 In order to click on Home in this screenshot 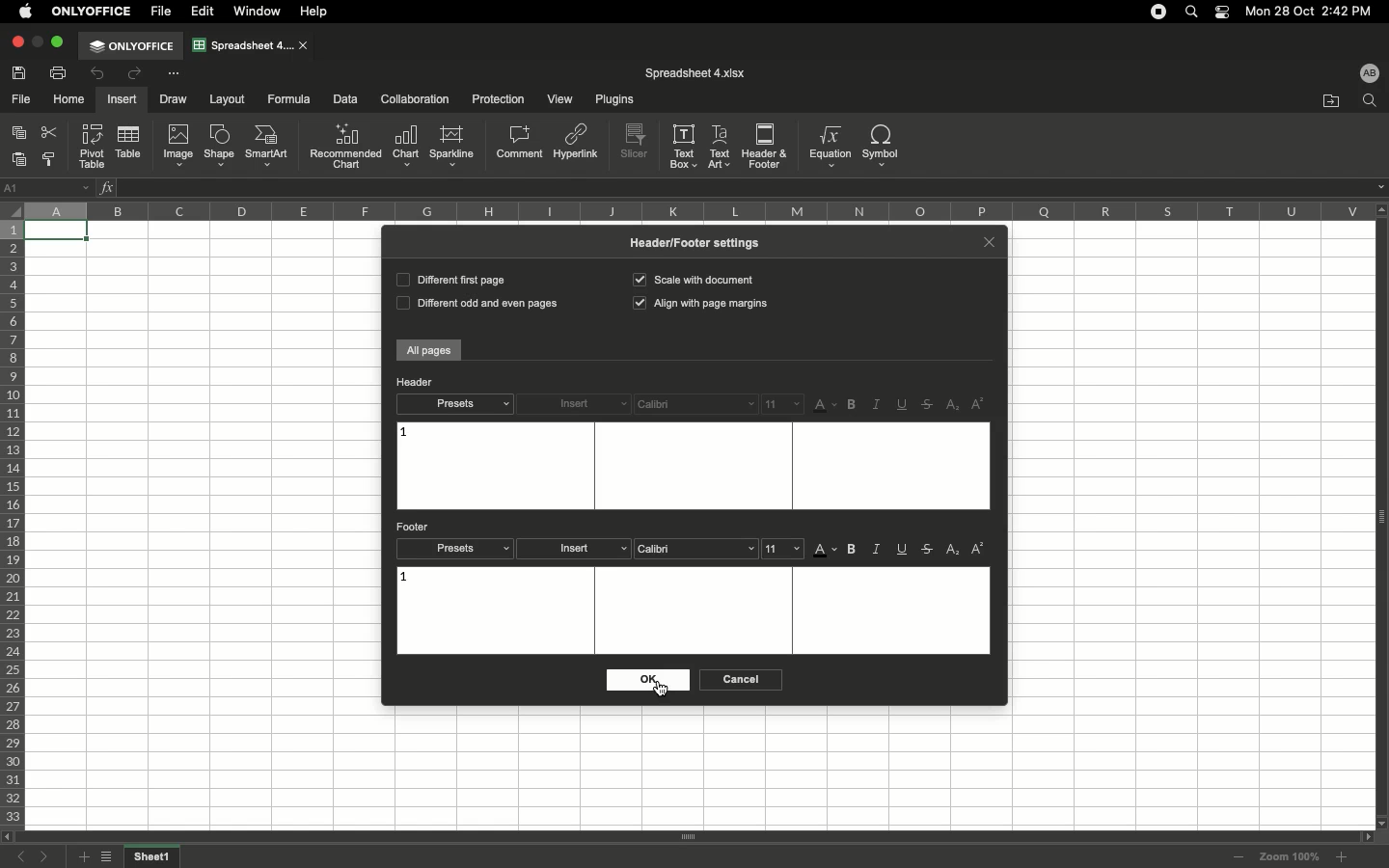, I will do `click(69, 100)`.